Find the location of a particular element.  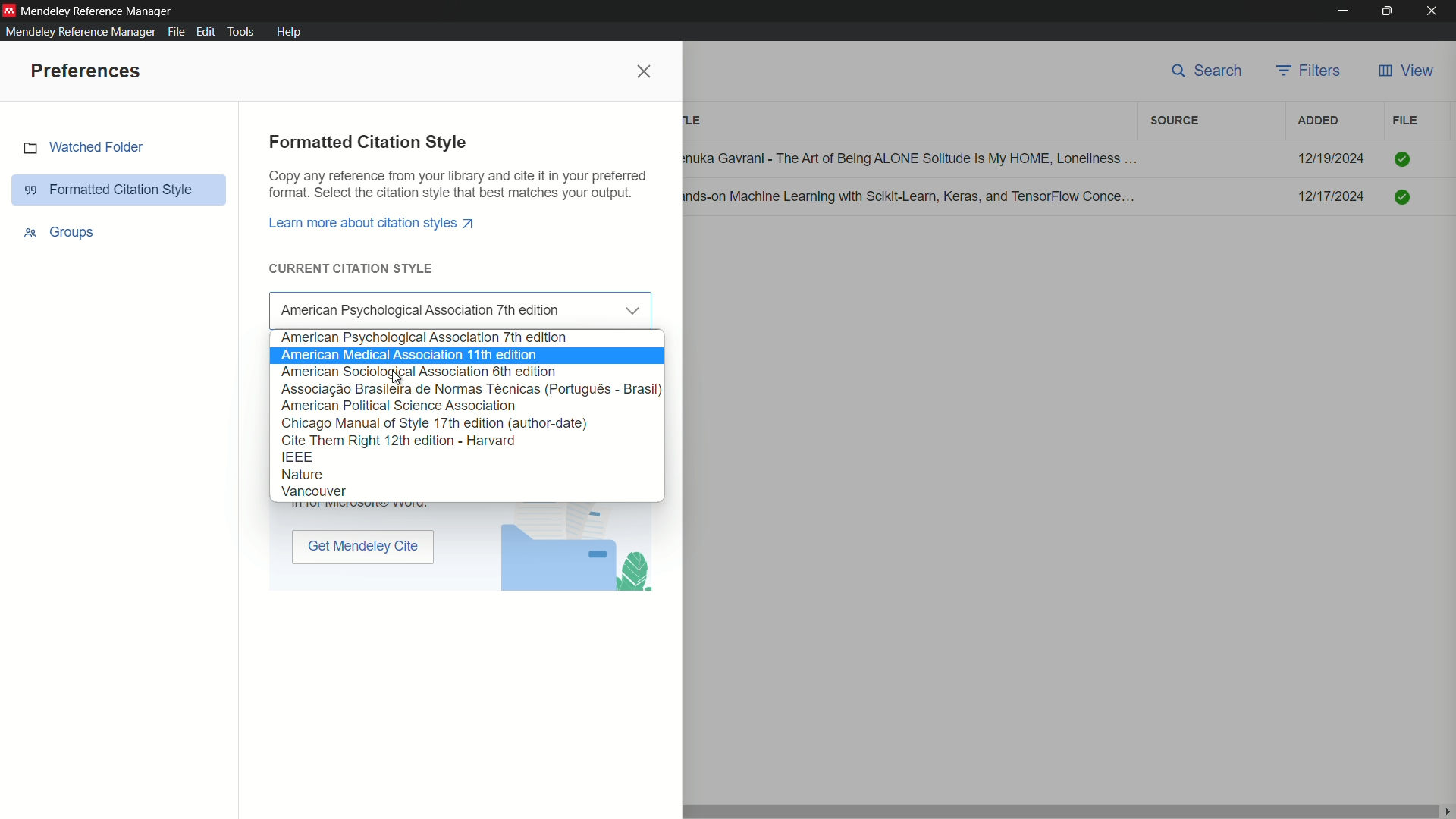

get mendeley cite is located at coordinates (362, 549).